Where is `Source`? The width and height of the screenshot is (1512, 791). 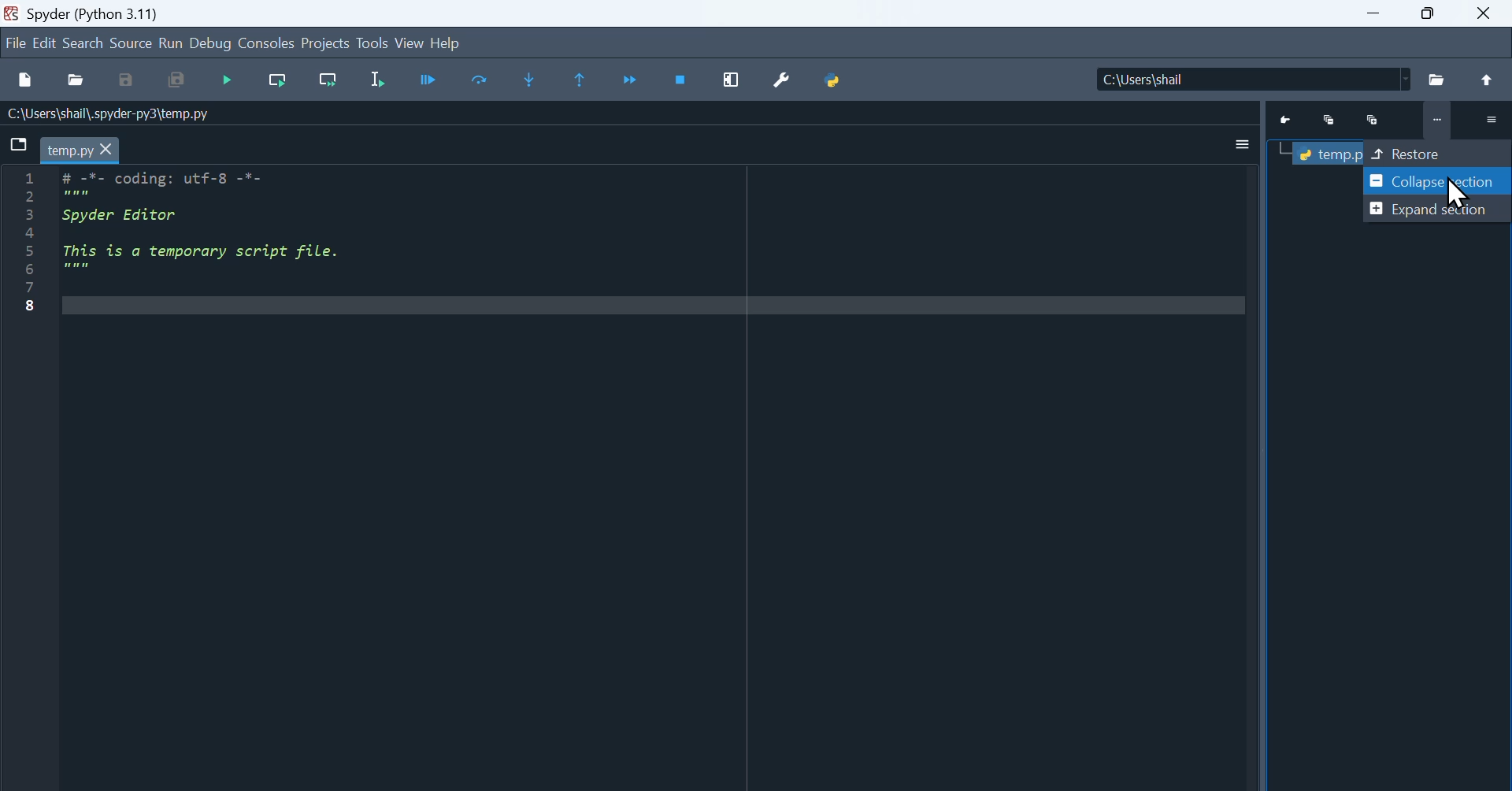 Source is located at coordinates (132, 44).